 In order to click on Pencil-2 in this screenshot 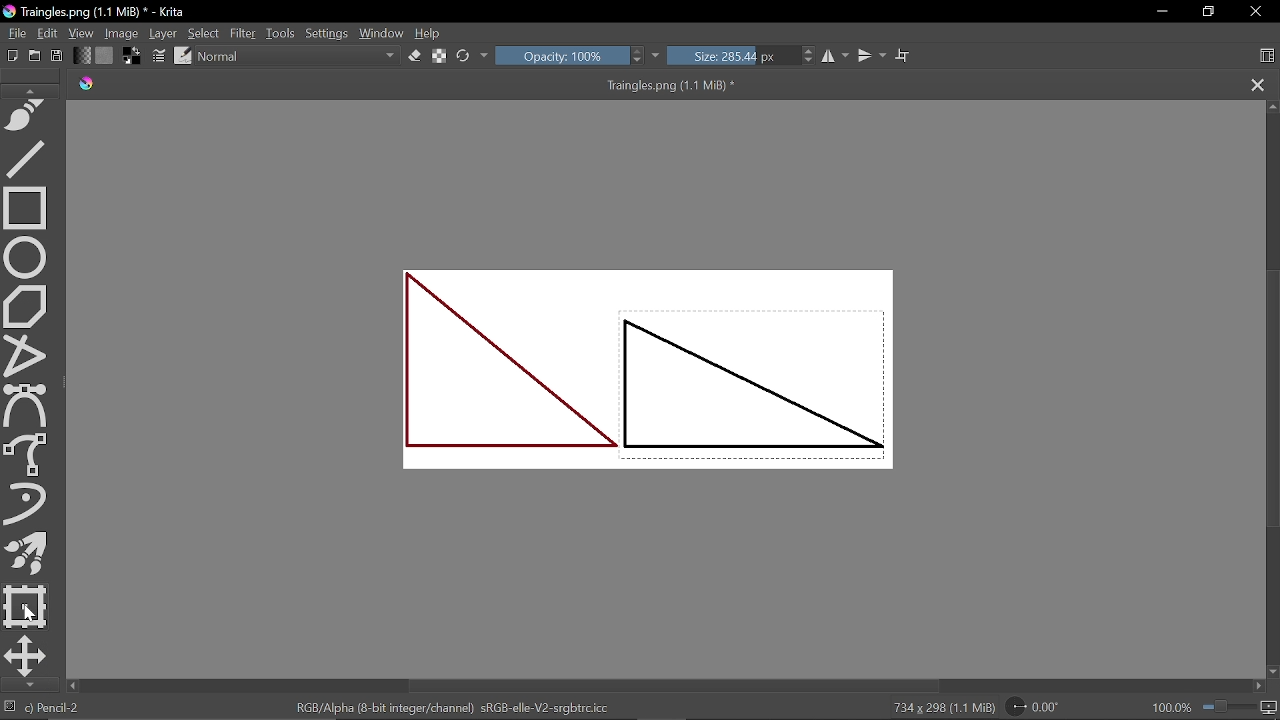, I will do `click(54, 707)`.